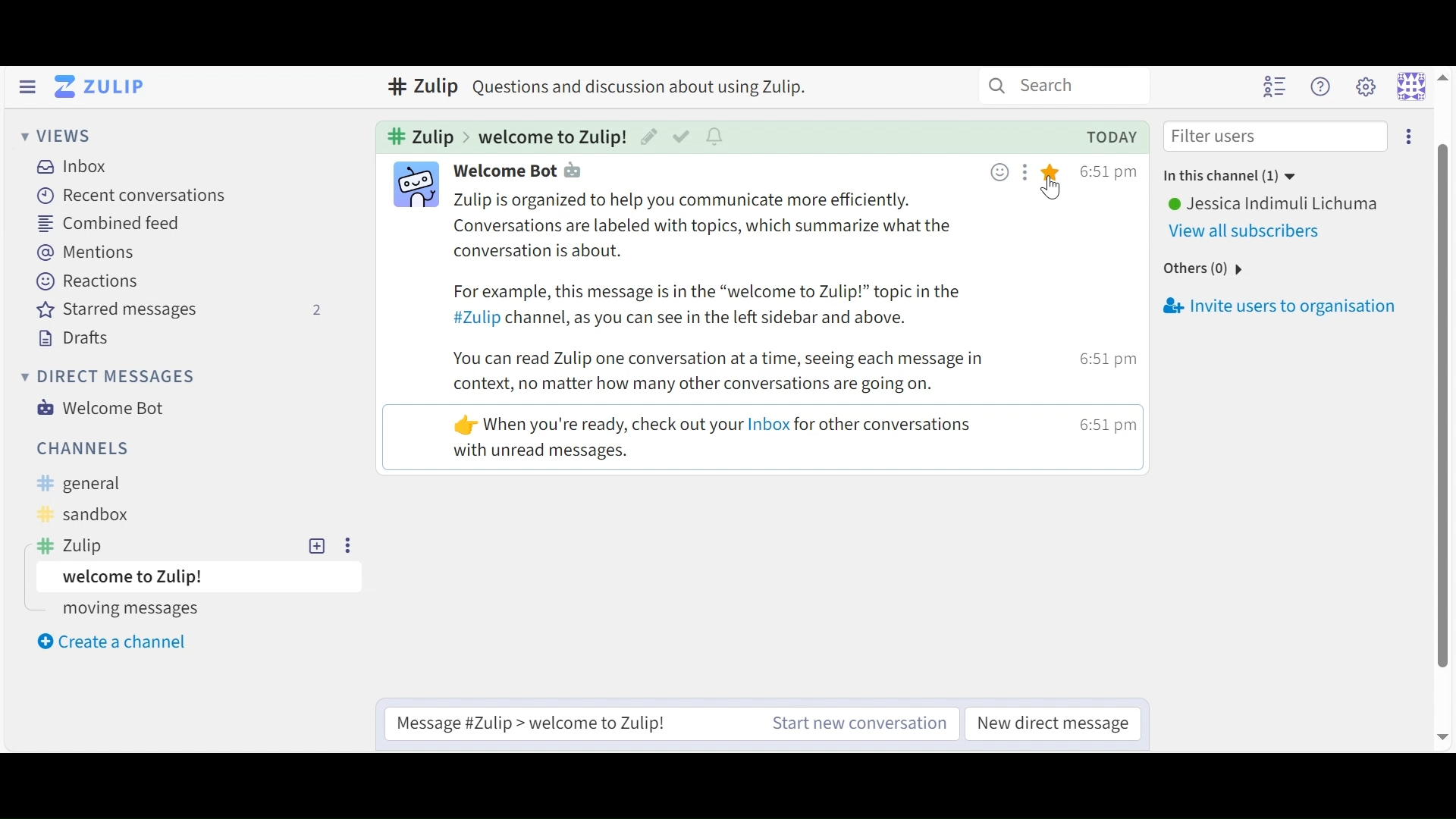  What do you see at coordinates (417, 136) in the screenshot?
I see `Cannel` at bounding box center [417, 136].